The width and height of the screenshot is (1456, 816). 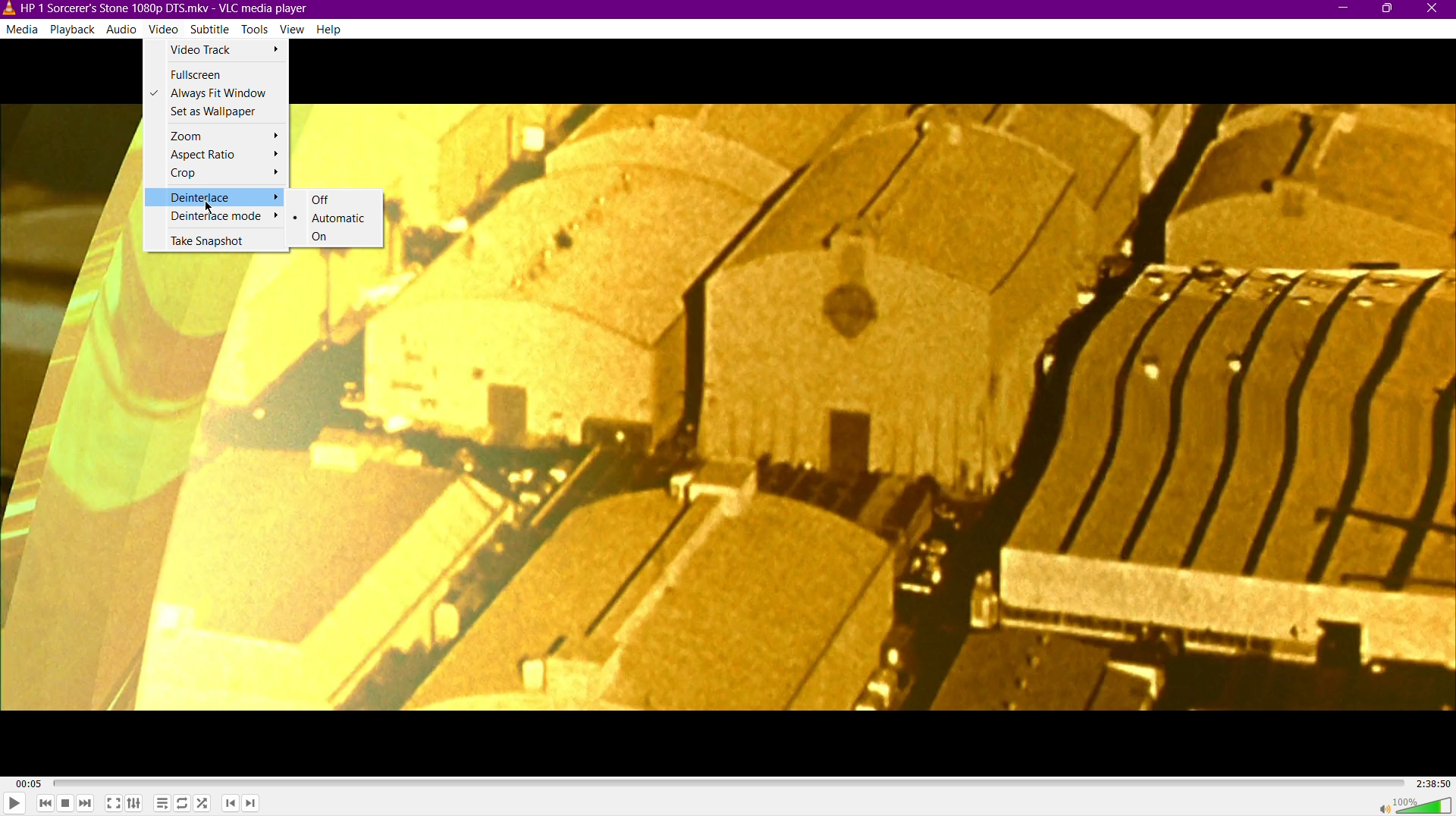 What do you see at coordinates (87, 802) in the screenshot?
I see `Skip Forward` at bounding box center [87, 802].